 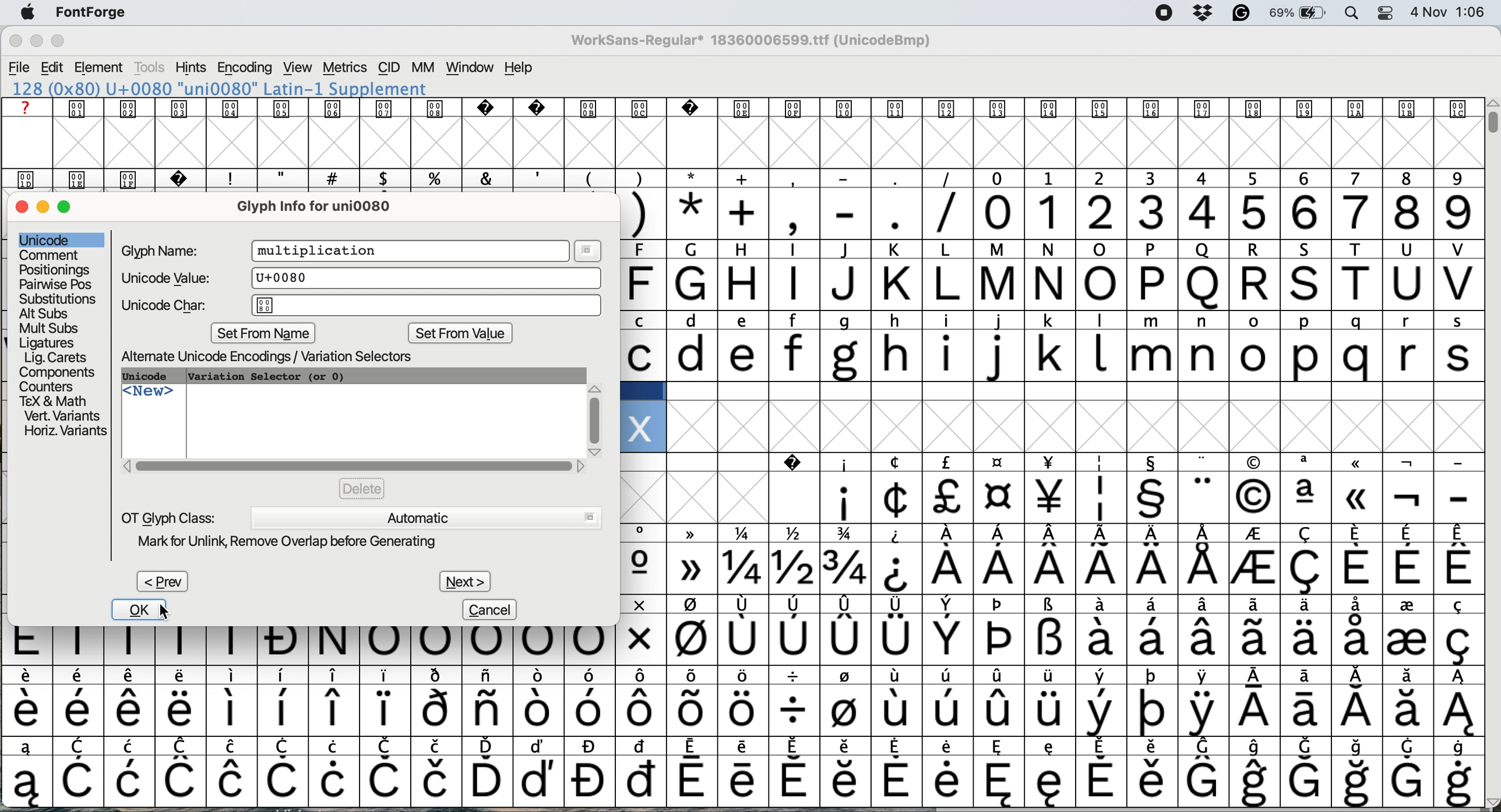 What do you see at coordinates (742, 676) in the screenshot?
I see `special characters` at bounding box center [742, 676].